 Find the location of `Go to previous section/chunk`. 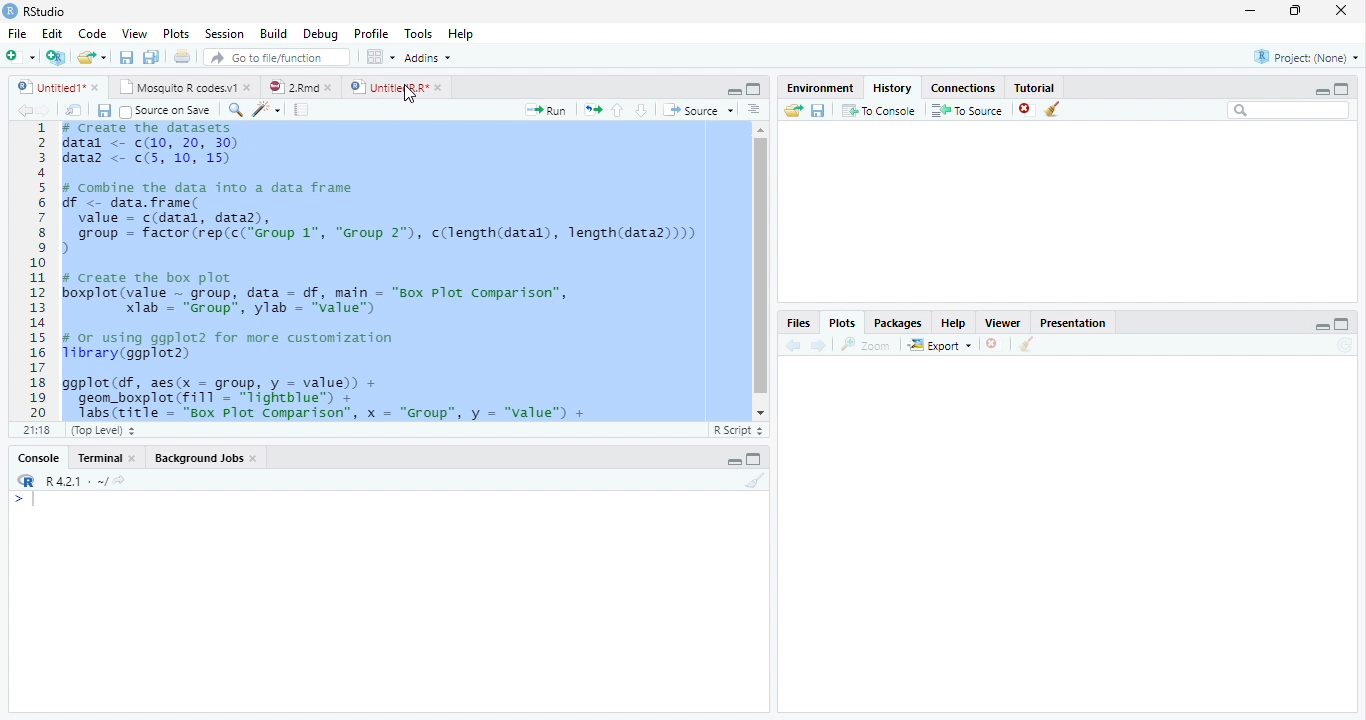

Go to previous section/chunk is located at coordinates (617, 110).